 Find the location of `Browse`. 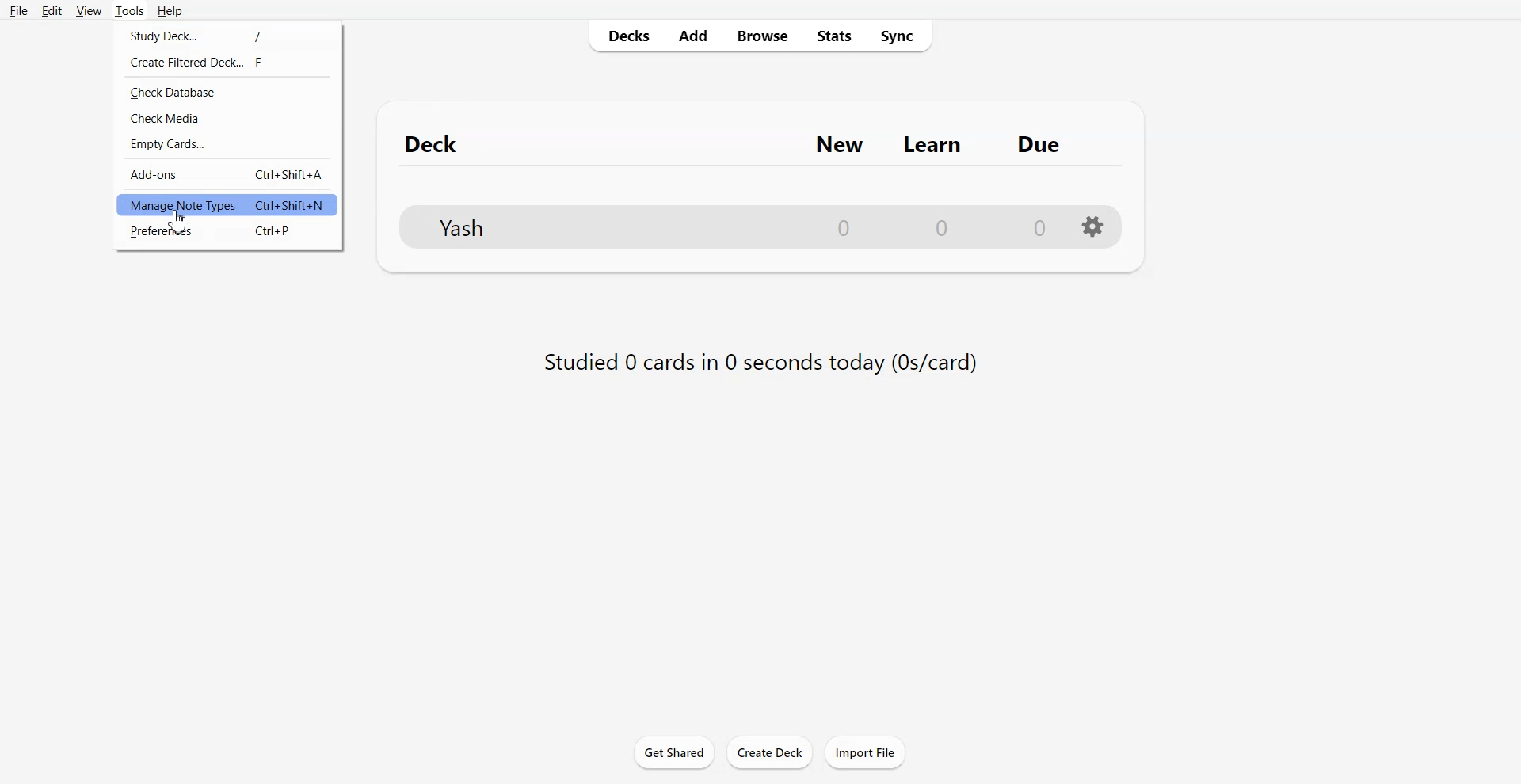

Browse is located at coordinates (760, 35).